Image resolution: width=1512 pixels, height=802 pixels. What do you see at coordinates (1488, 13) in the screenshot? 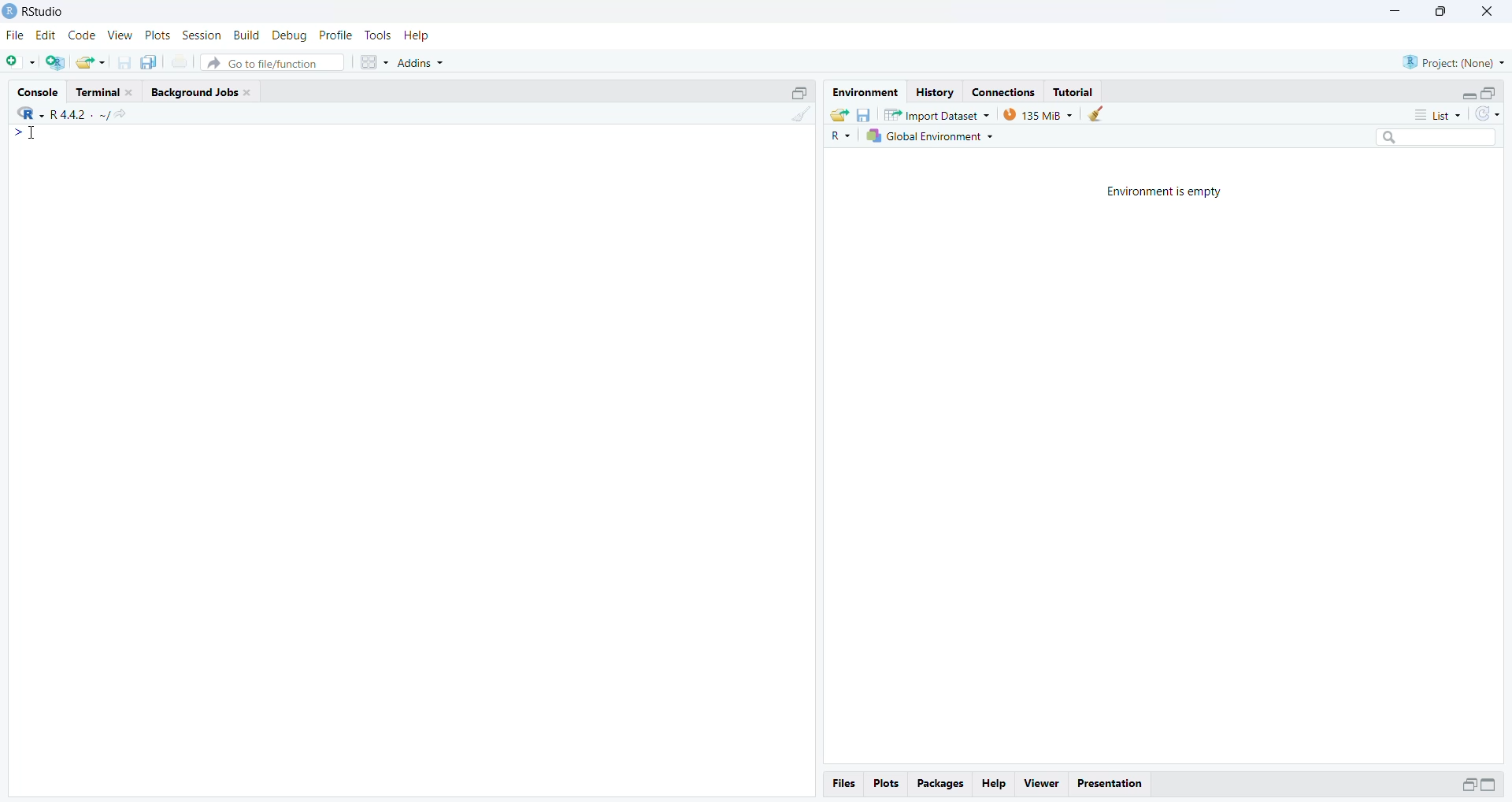
I see `Close` at bounding box center [1488, 13].